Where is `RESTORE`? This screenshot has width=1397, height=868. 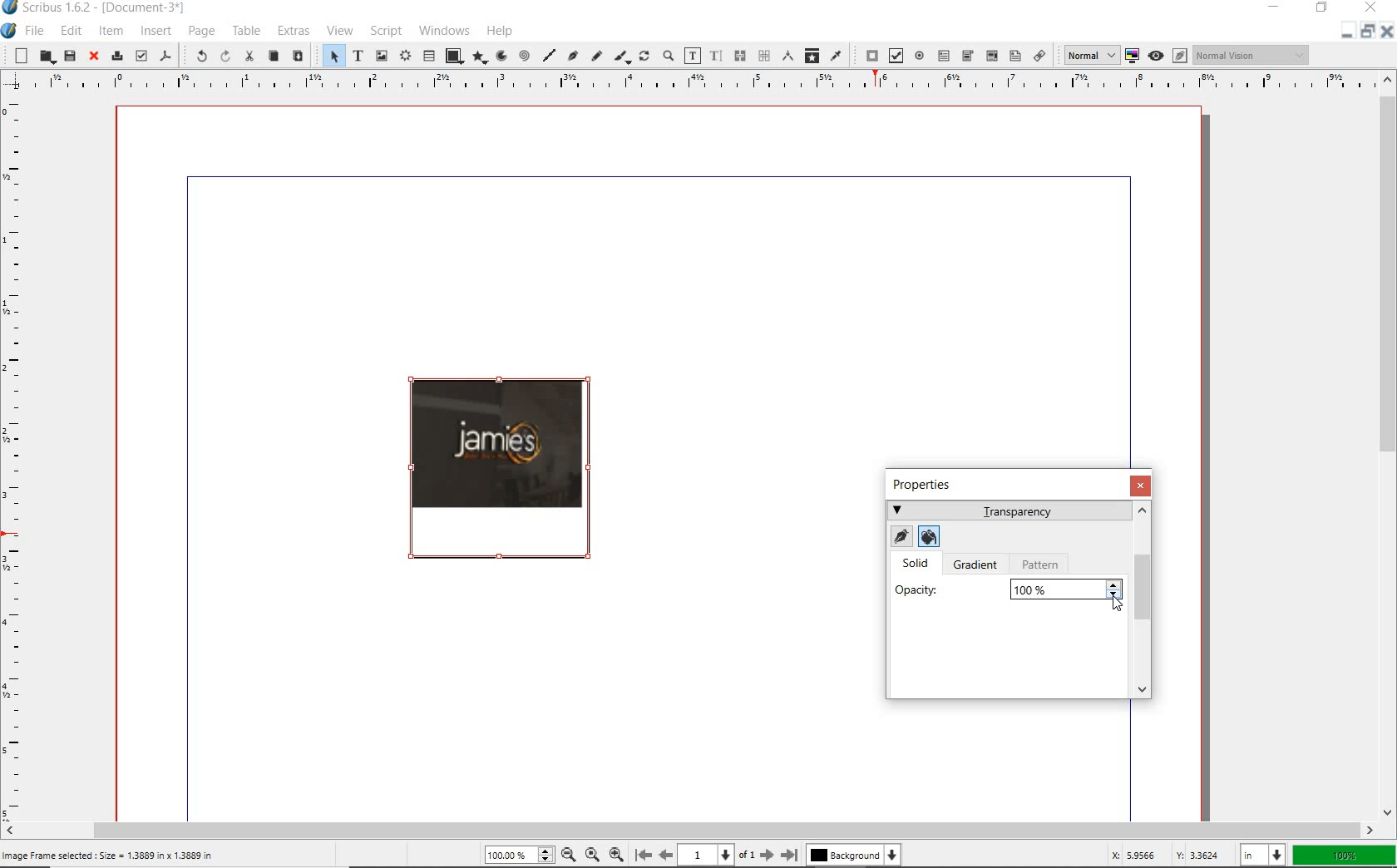
RESTORE is located at coordinates (1322, 8).